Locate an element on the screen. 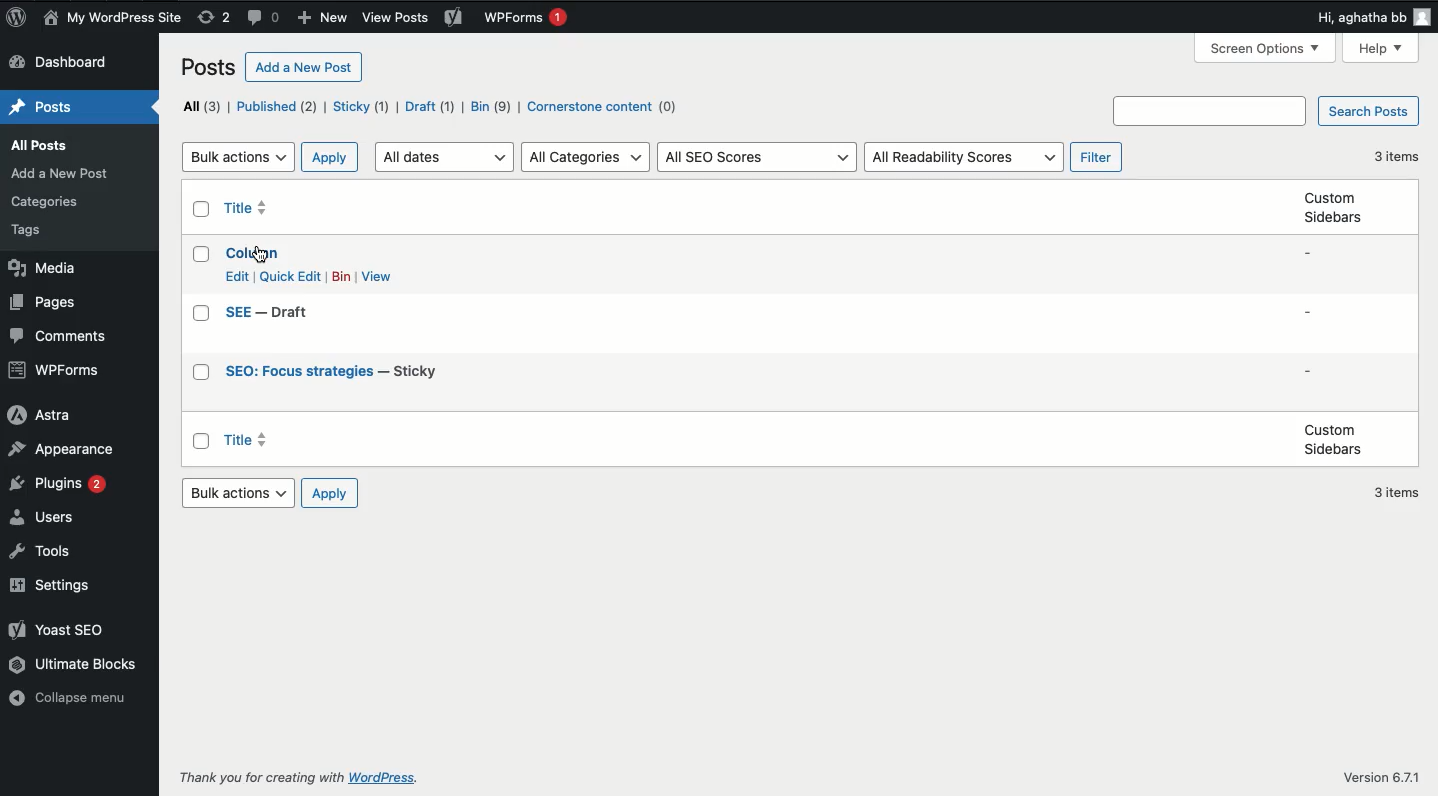  Categories  is located at coordinates (45, 201).